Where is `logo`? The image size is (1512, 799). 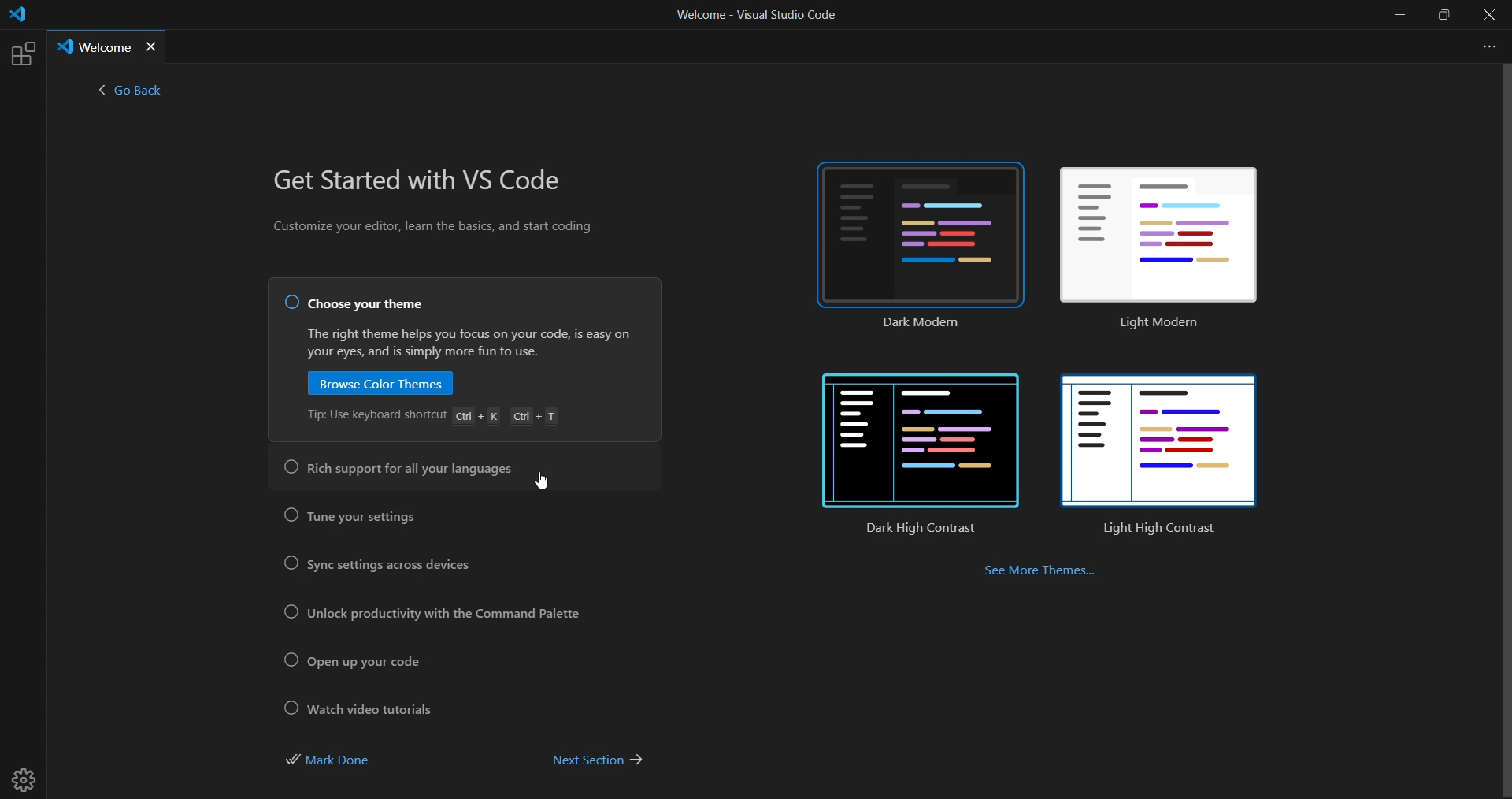 logo is located at coordinates (17, 17).